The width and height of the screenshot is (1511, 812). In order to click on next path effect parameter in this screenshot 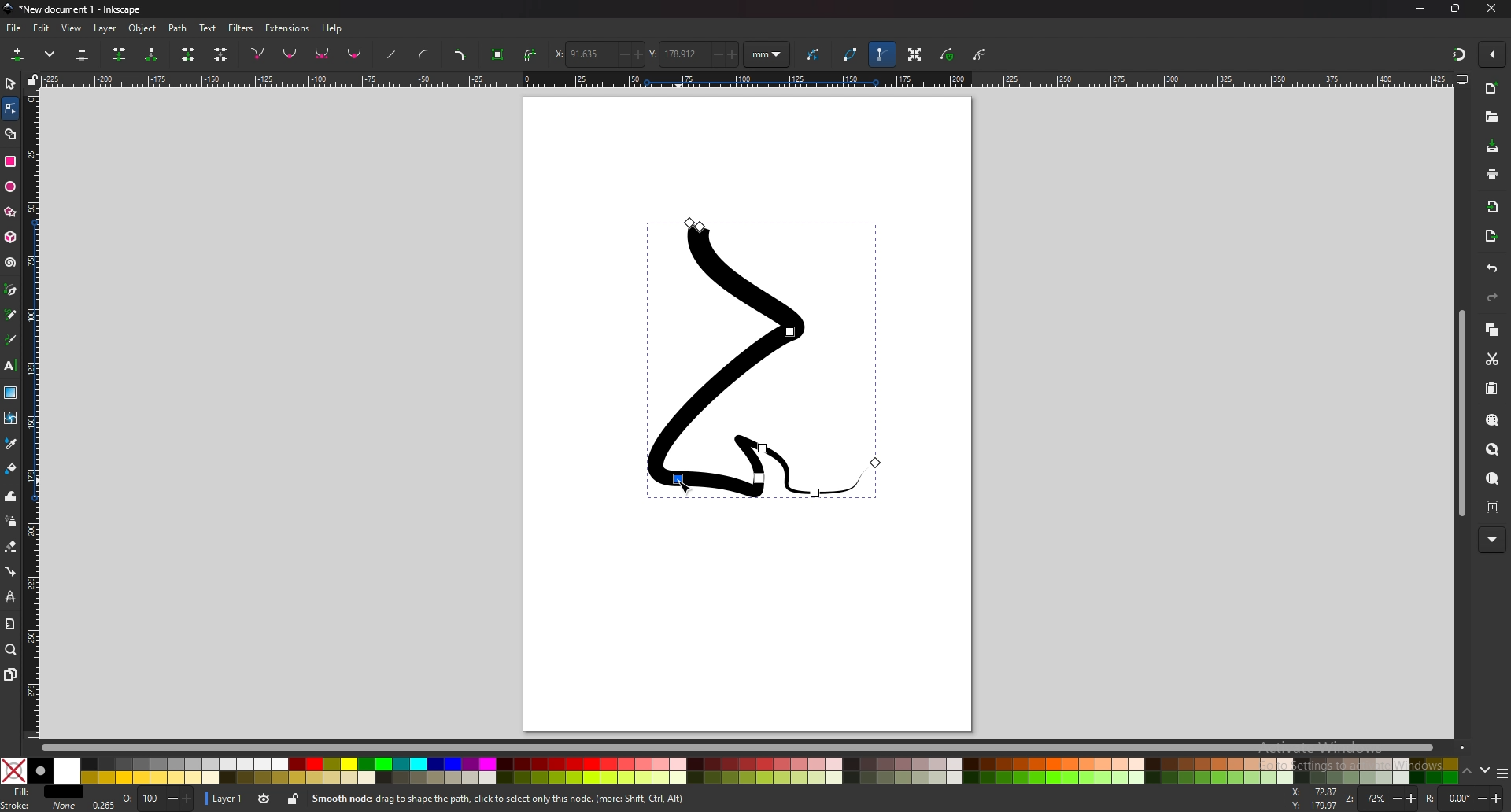, I will do `click(815, 55)`.